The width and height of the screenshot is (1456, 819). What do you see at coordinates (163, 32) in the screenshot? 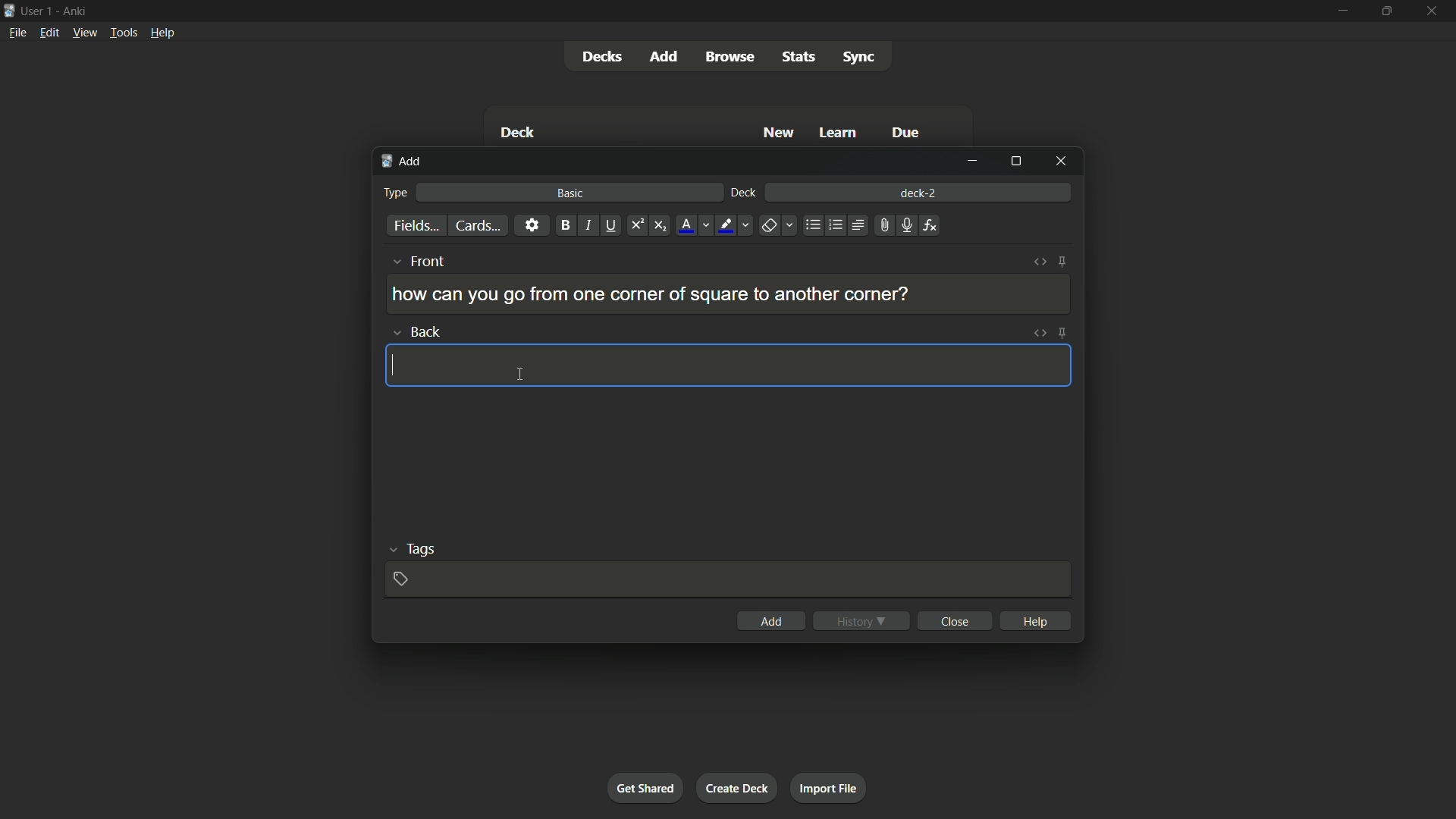
I see `help menu` at bounding box center [163, 32].